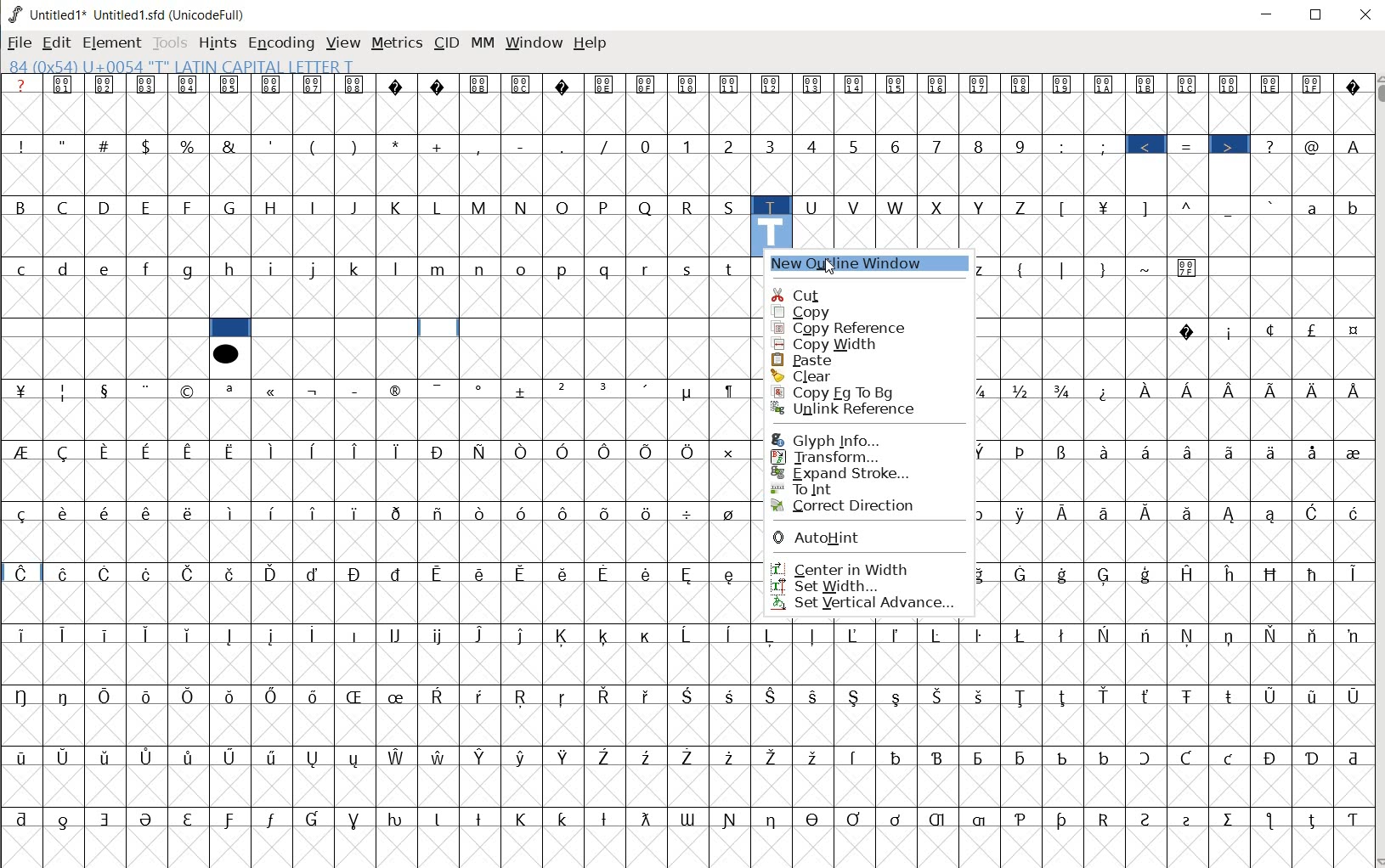 The width and height of the screenshot is (1385, 868). What do you see at coordinates (854, 144) in the screenshot?
I see `5` at bounding box center [854, 144].